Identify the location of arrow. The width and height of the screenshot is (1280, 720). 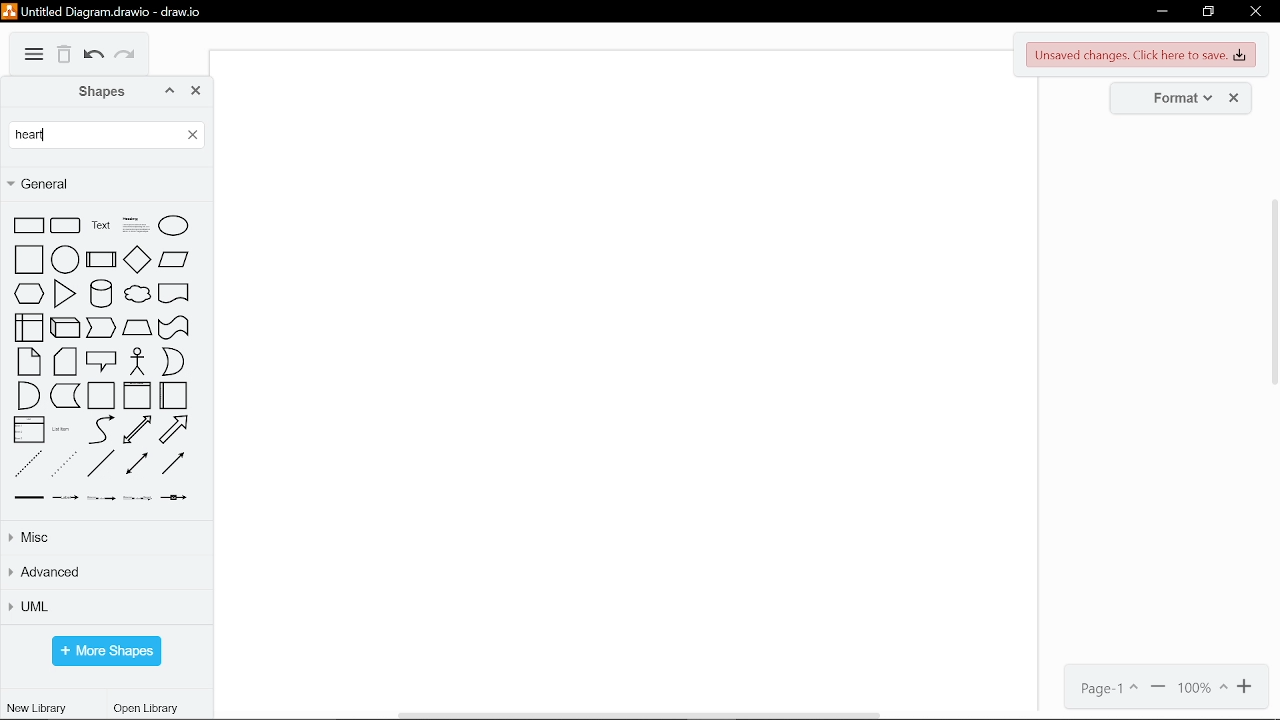
(175, 429).